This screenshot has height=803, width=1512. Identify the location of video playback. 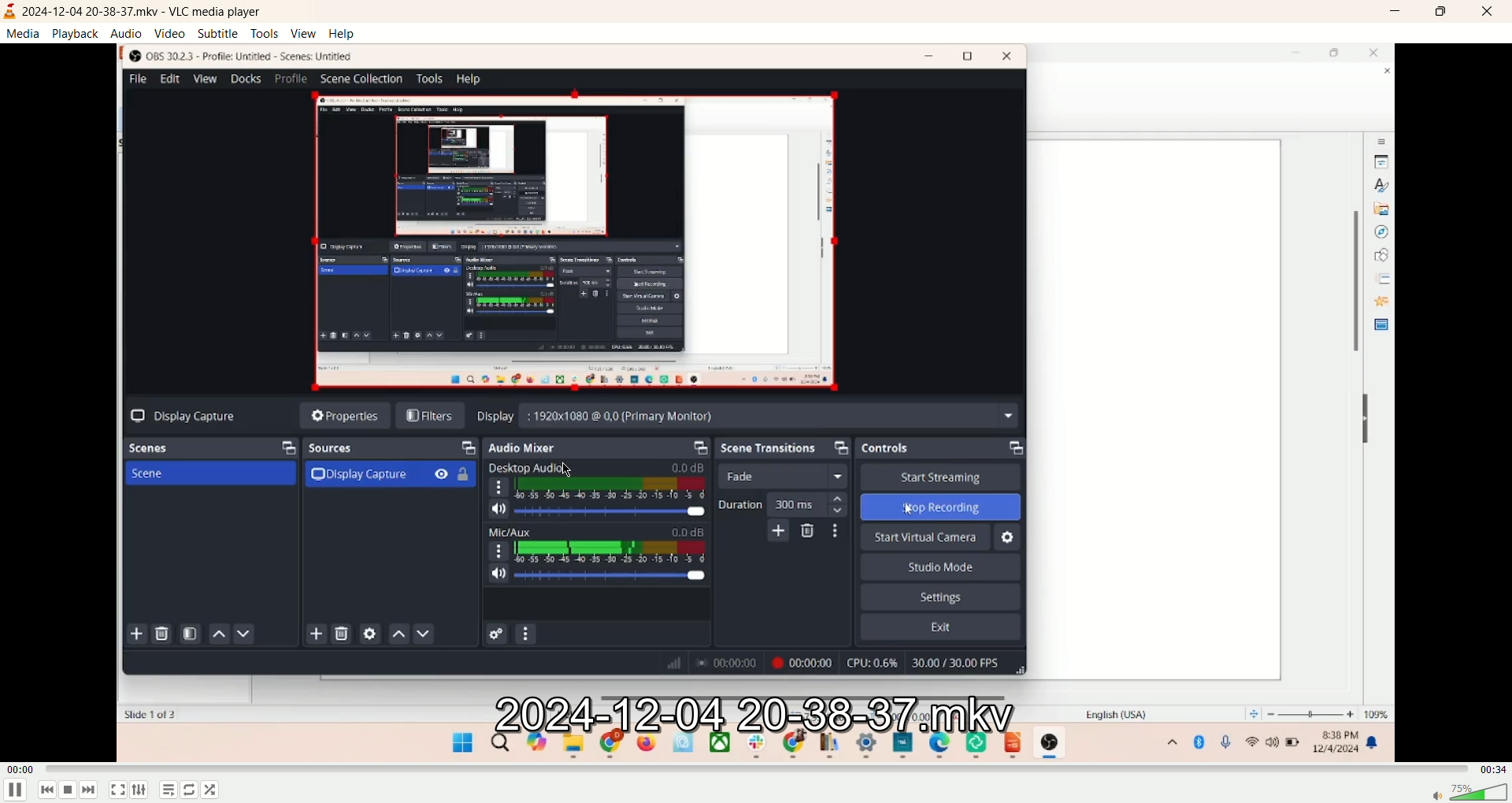
(756, 361).